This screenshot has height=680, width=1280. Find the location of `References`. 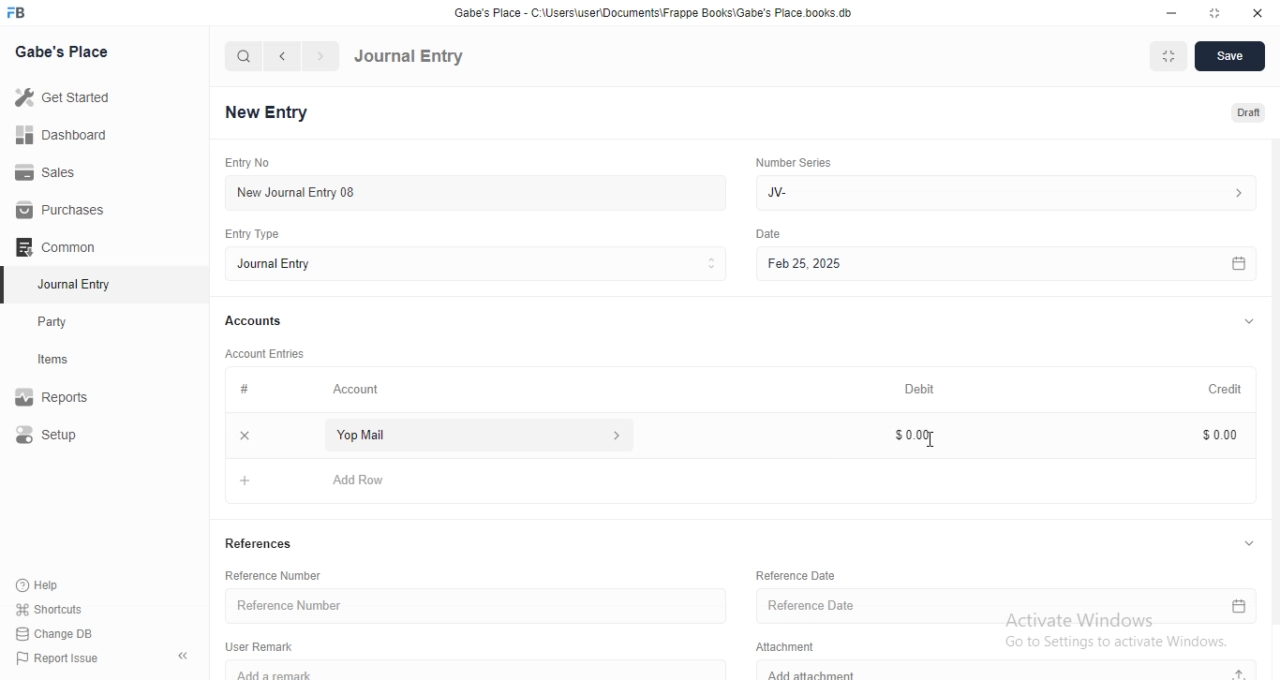

References is located at coordinates (261, 545).